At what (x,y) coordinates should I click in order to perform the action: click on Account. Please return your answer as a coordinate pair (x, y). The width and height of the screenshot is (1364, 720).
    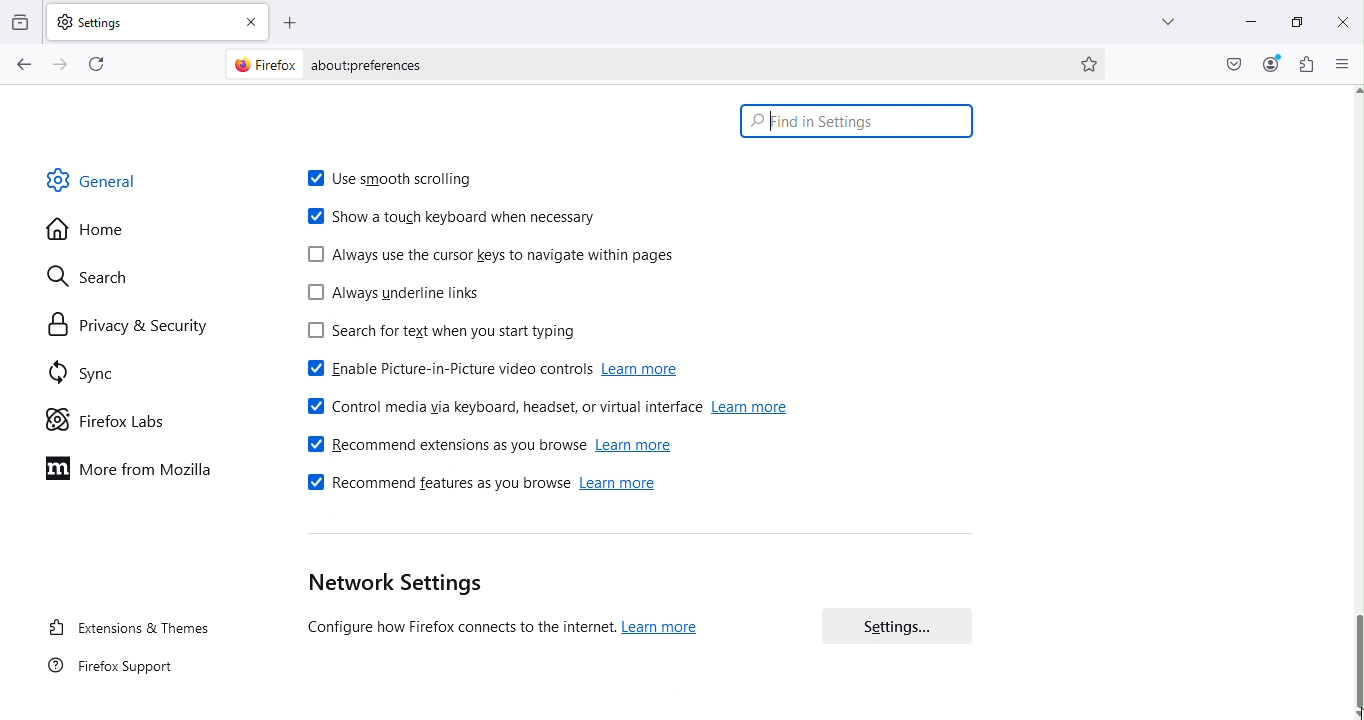
    Looking at the image, I should click on (1271, 64).